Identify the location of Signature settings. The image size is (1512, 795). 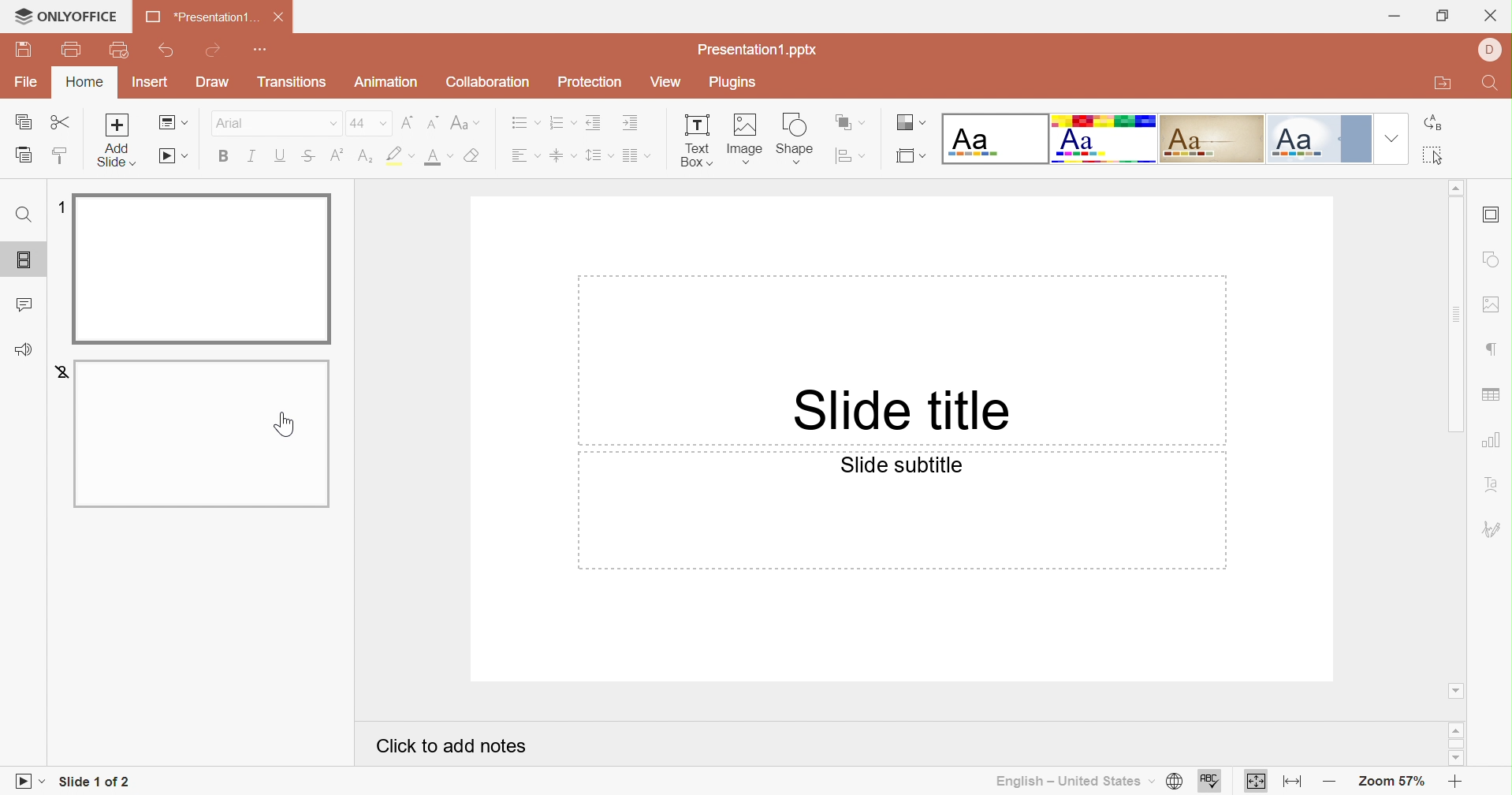
(1493, 528).